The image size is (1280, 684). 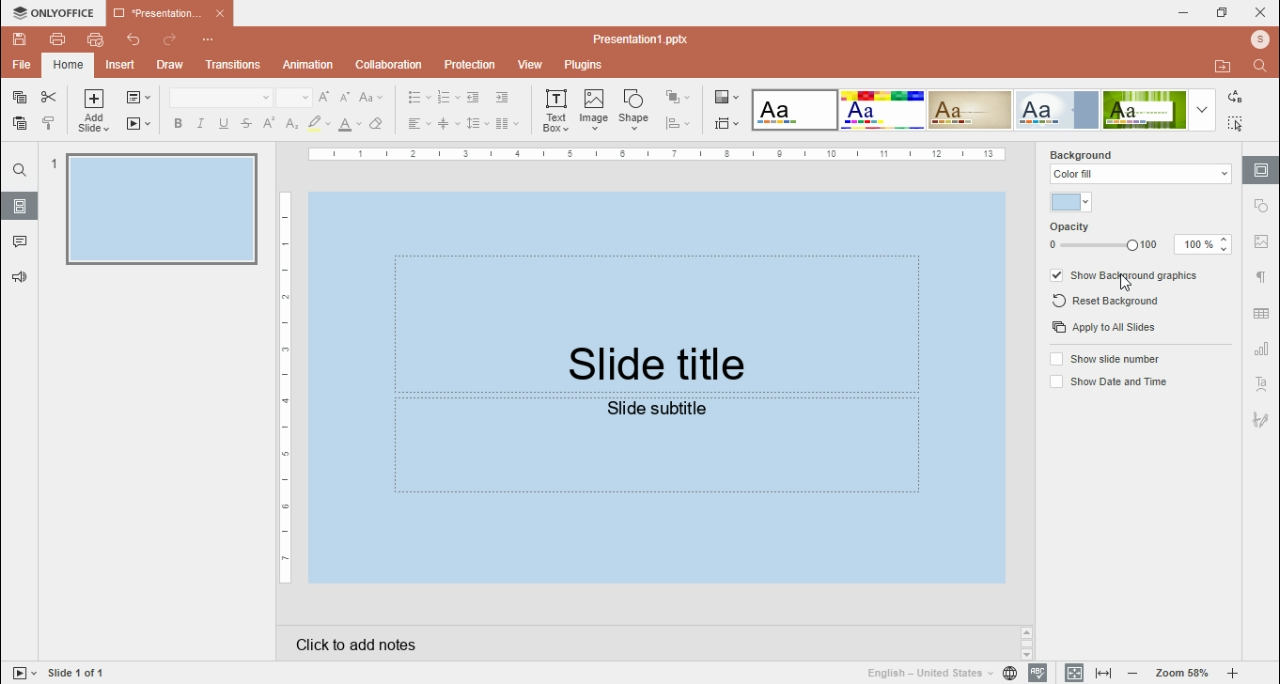 I want to click on theme 4, so click(x=1056, y=111).